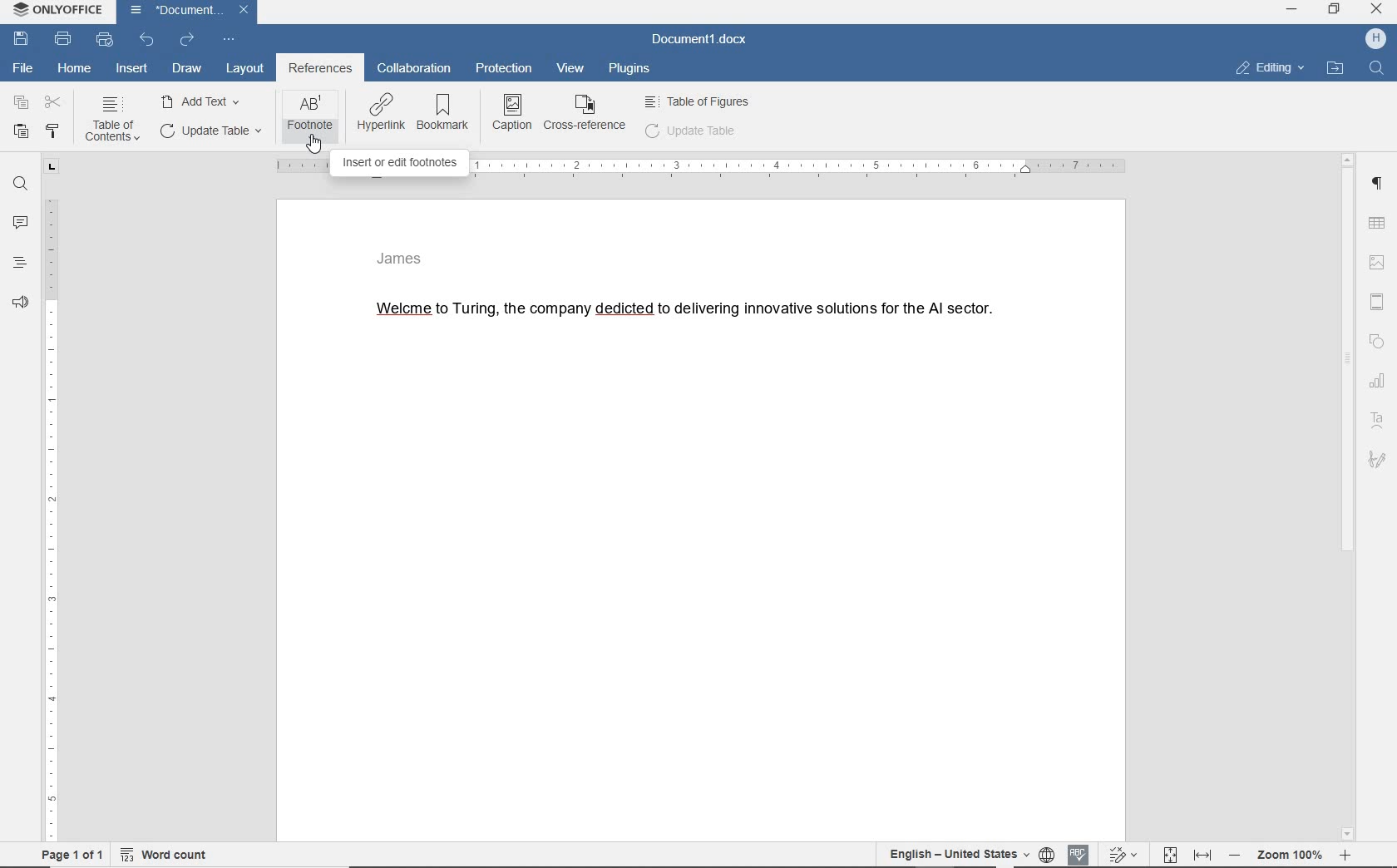  Describe the element at coordinates (21, 298) in the screenshot. I see `feedback & support` at that location.